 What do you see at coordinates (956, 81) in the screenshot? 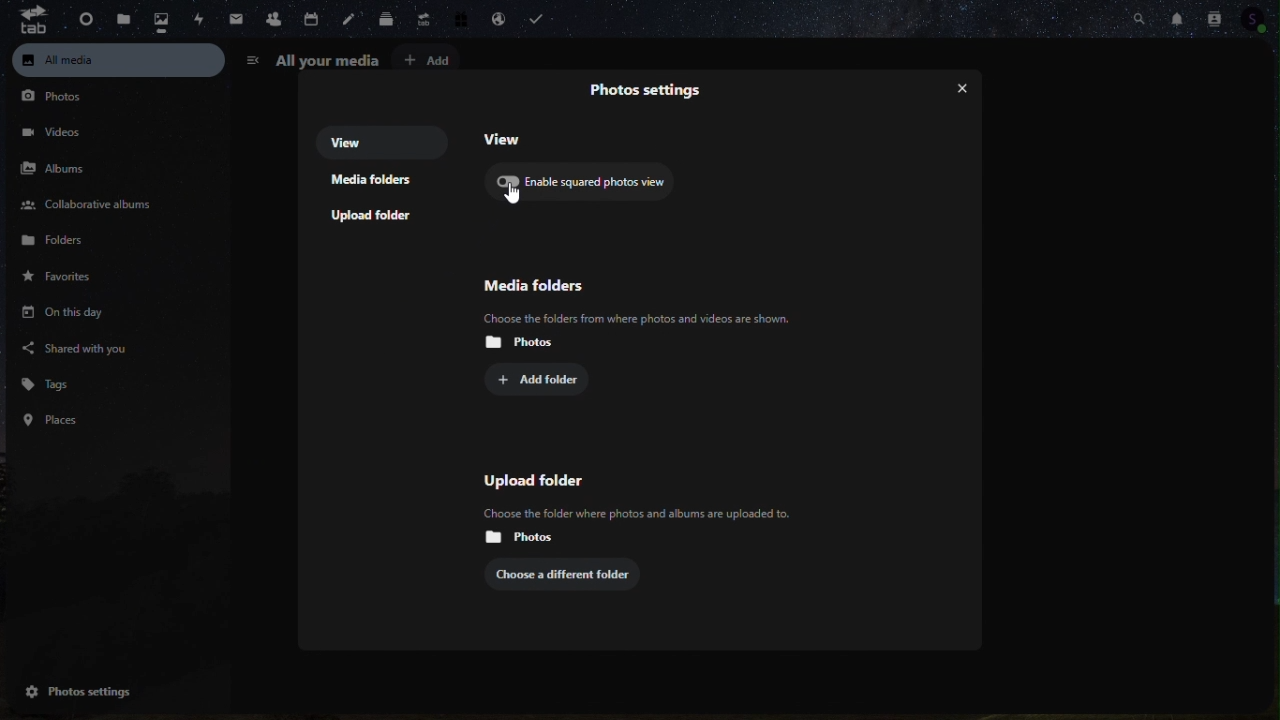
I see `Close` at bounding box center [956, 81].